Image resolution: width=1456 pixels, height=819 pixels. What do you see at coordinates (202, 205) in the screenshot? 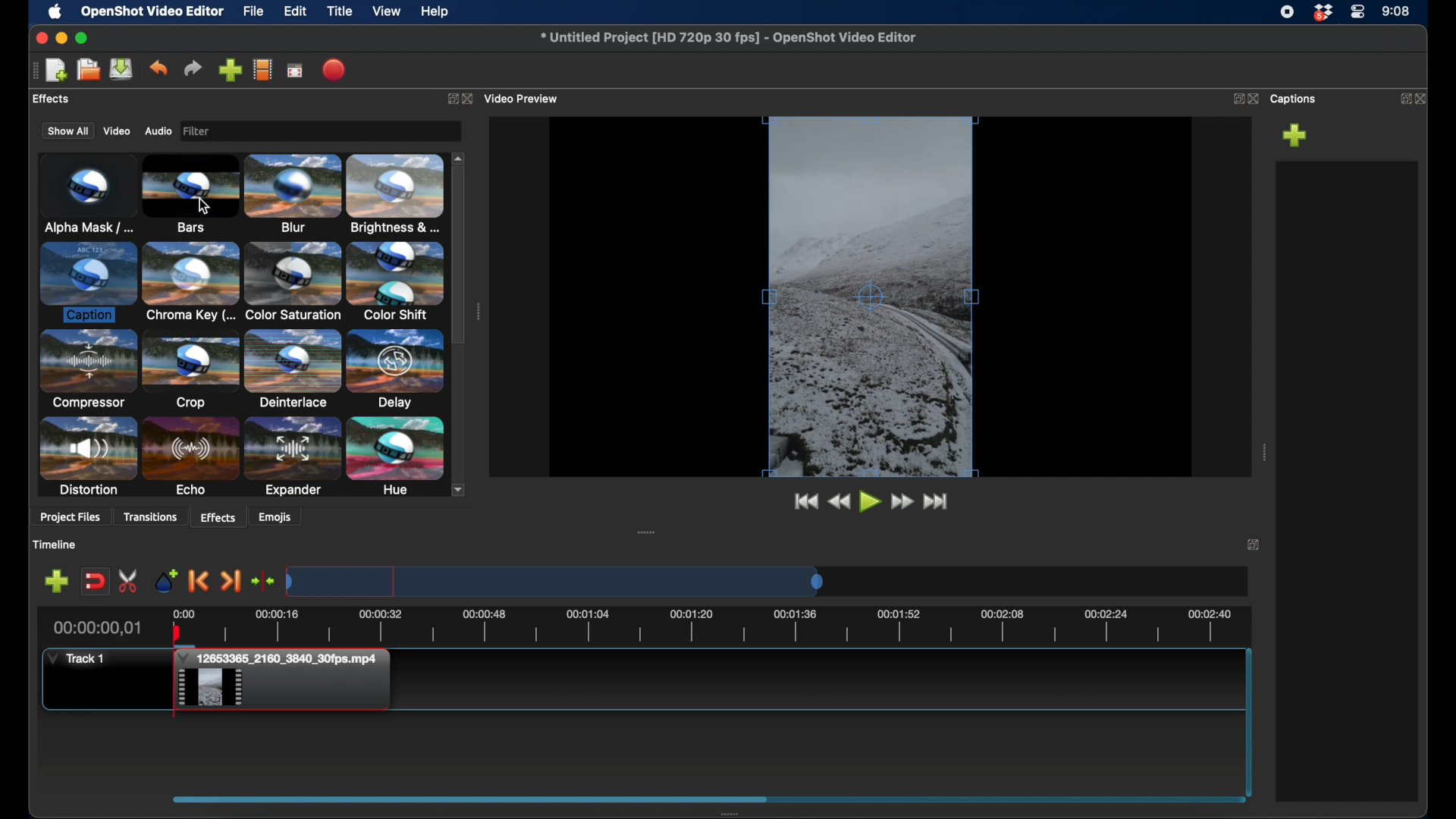
I see `cursor` at bounding box center [202, 205].